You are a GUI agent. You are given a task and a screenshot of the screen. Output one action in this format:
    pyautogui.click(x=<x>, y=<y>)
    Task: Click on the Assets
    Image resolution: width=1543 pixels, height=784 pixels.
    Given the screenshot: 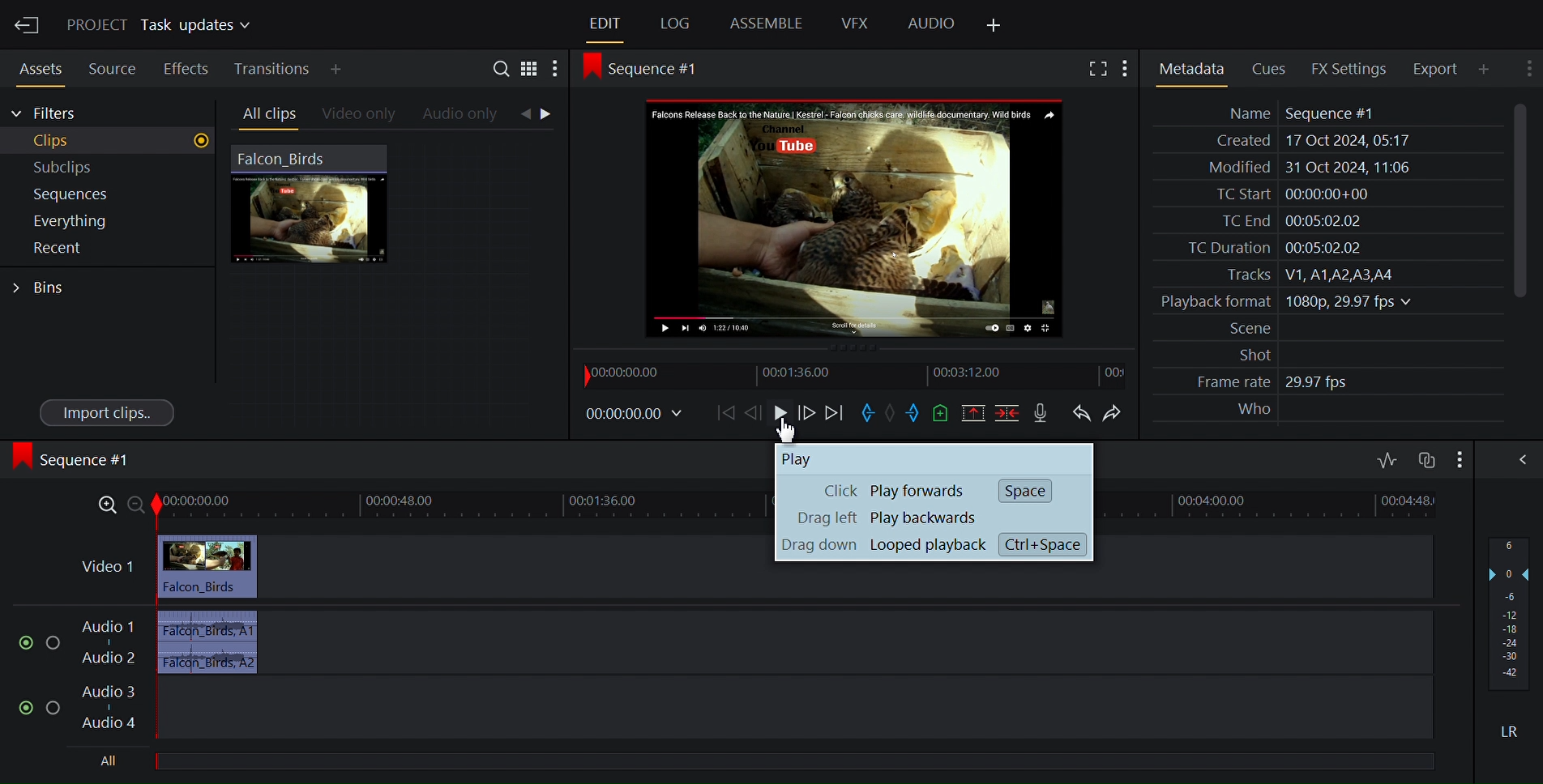 What is the action you would take?
    pyautogui.click(x=39, y=69)
    